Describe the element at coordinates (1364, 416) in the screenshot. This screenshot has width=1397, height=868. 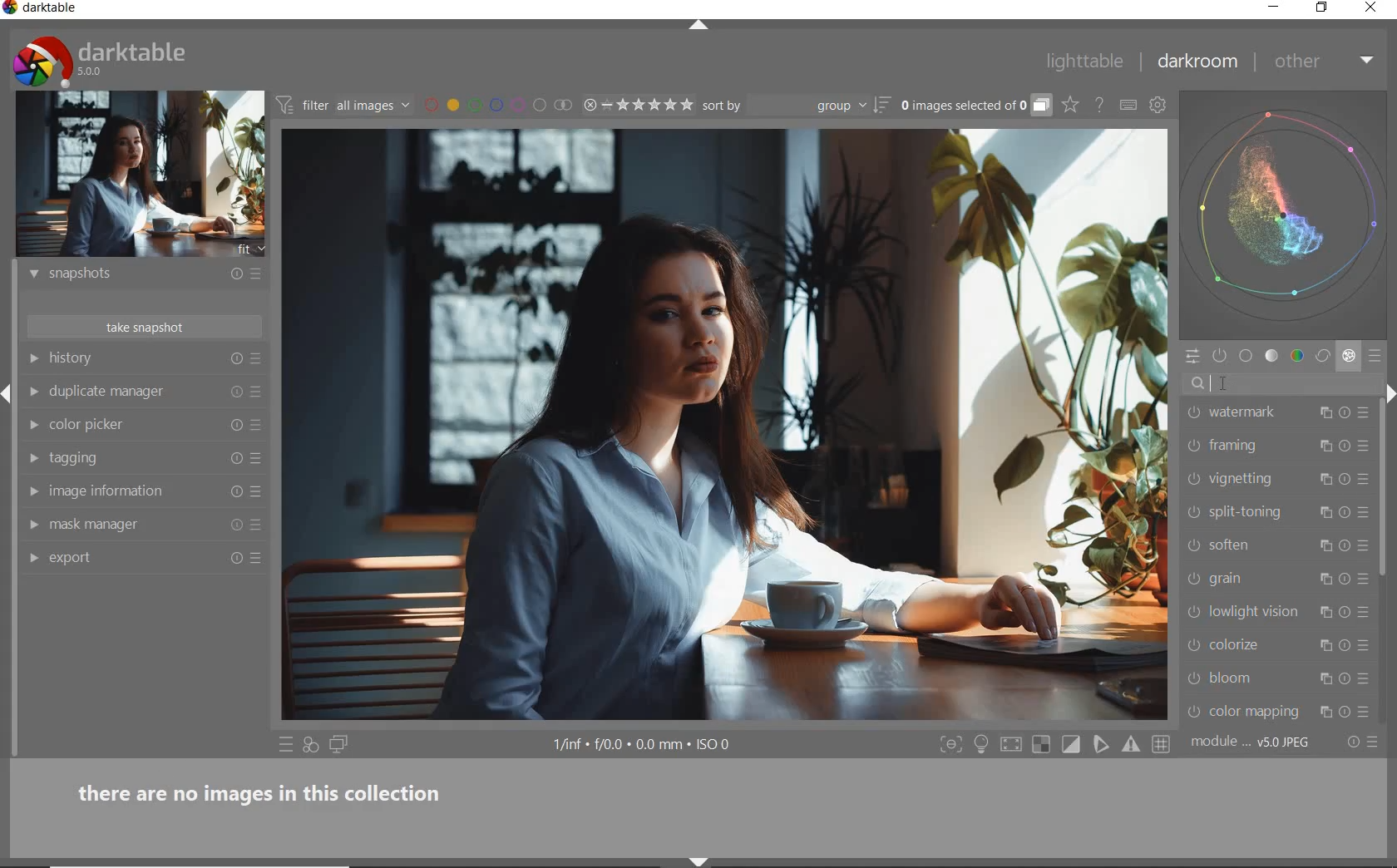
I see `preset and preferences` at that location.